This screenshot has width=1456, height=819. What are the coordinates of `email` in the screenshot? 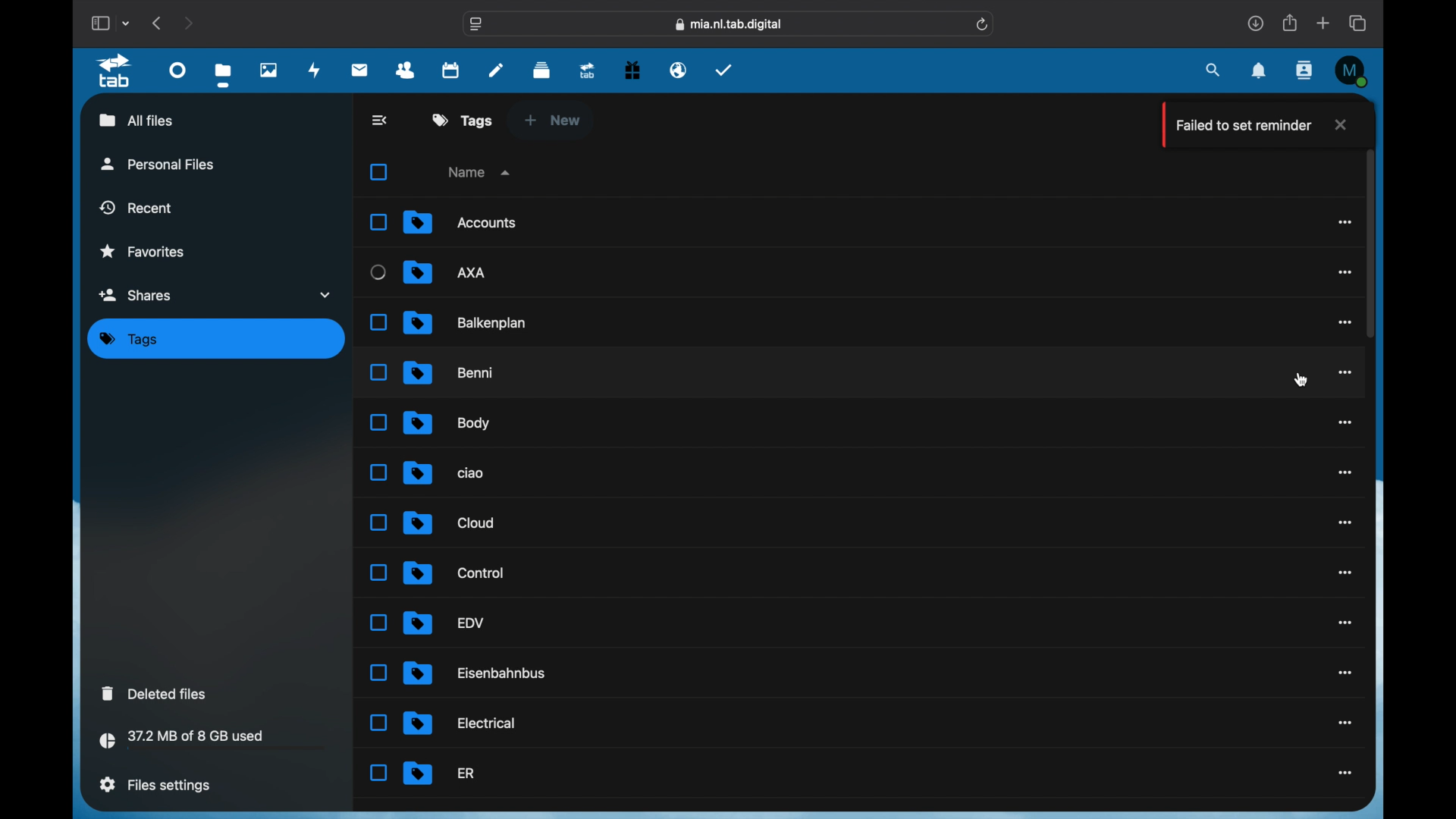 It's located at (678, 69).